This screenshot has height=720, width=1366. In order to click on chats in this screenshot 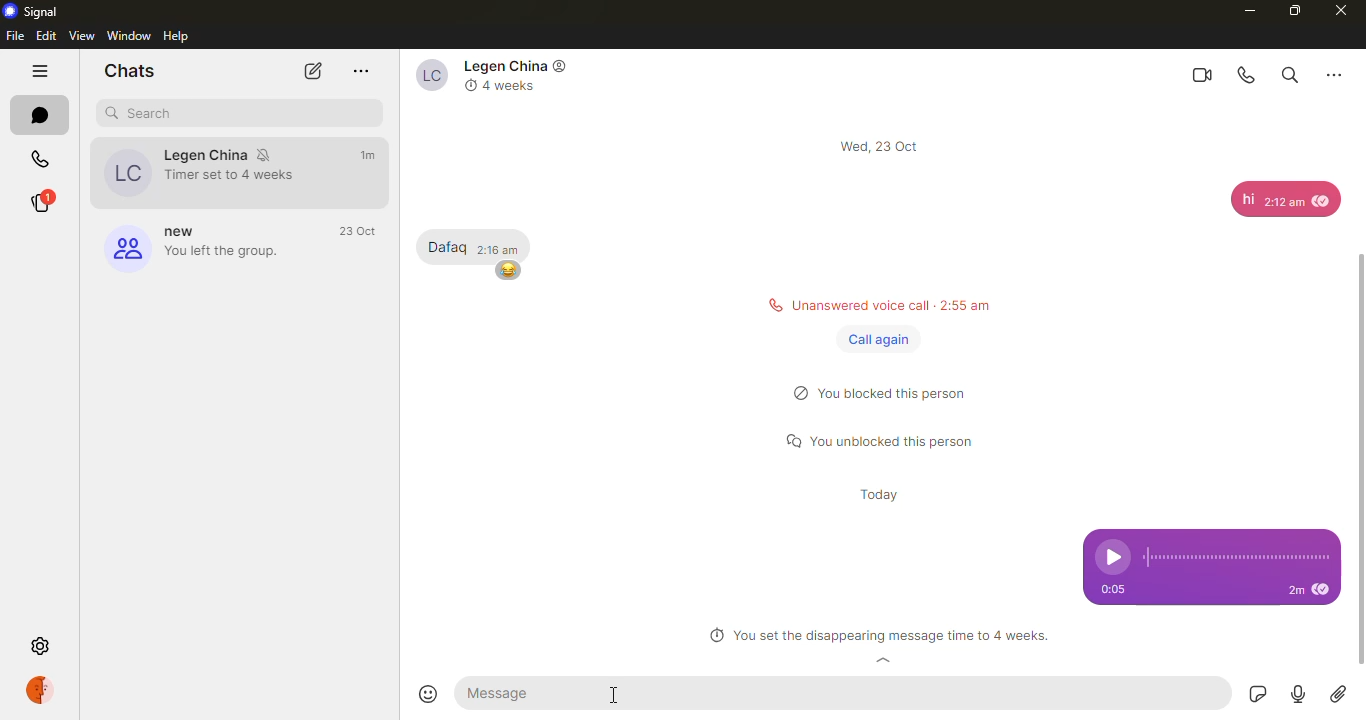, I will do `click(40, 115)`.